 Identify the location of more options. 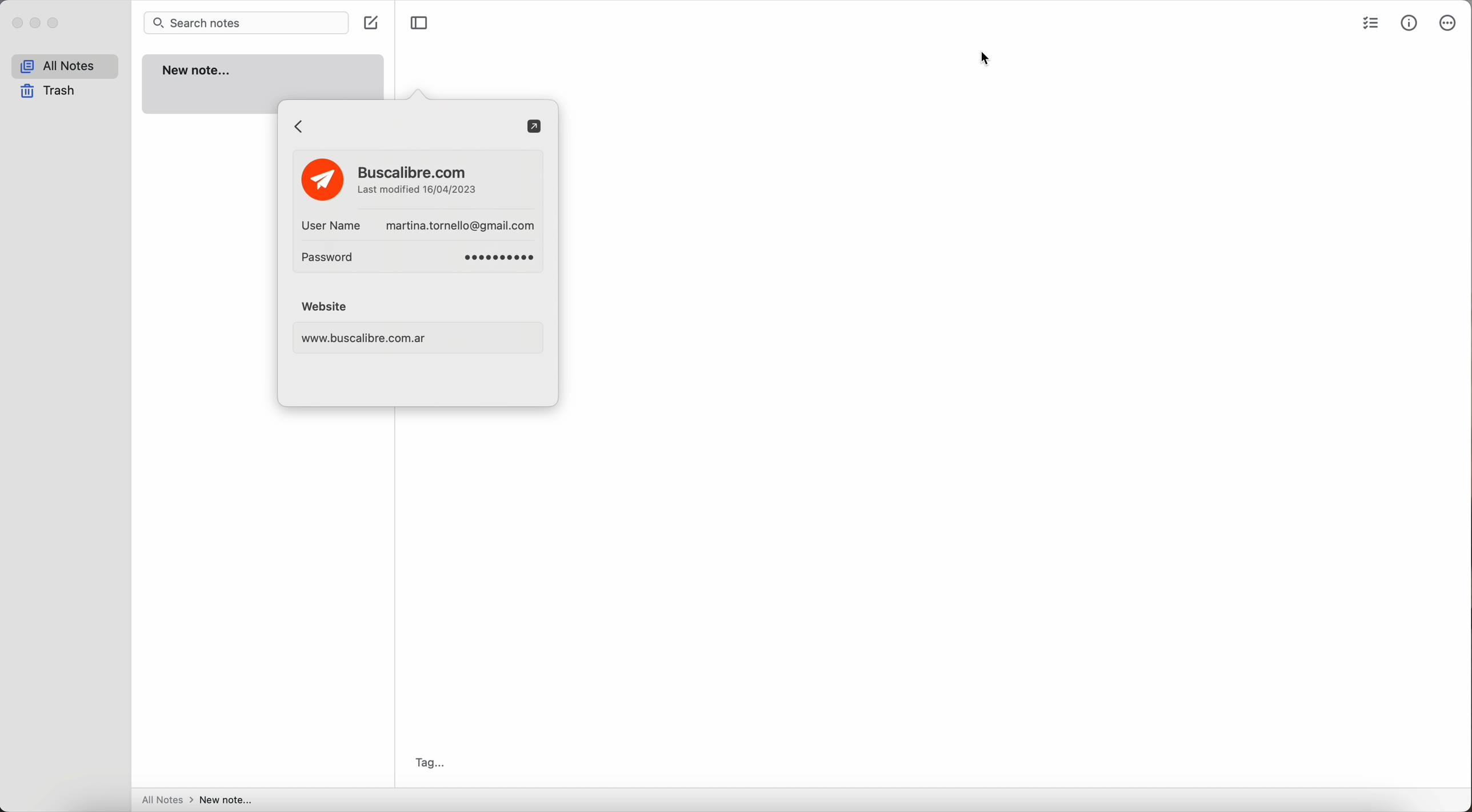
(1449, 24).